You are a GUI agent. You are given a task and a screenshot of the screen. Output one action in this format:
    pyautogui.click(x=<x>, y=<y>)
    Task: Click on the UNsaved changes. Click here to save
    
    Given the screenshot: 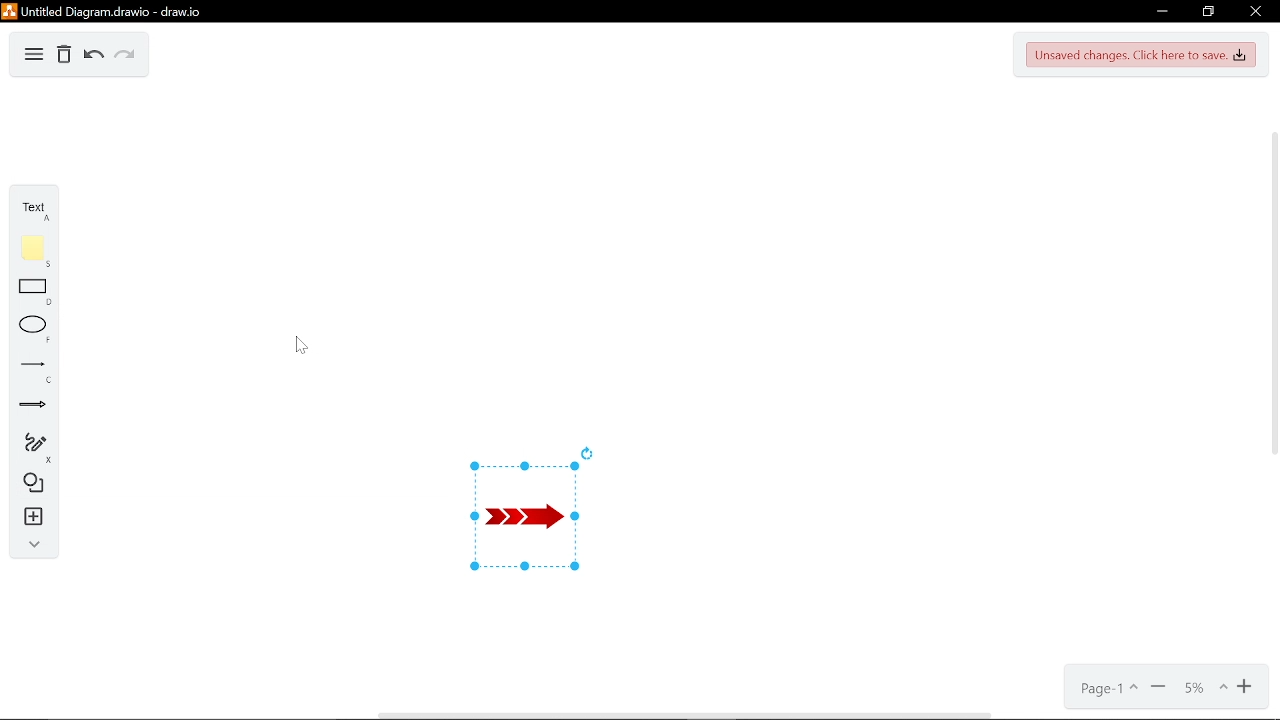 What is the action you would take?
    pyautogui.click(x=1141, y=56)
    